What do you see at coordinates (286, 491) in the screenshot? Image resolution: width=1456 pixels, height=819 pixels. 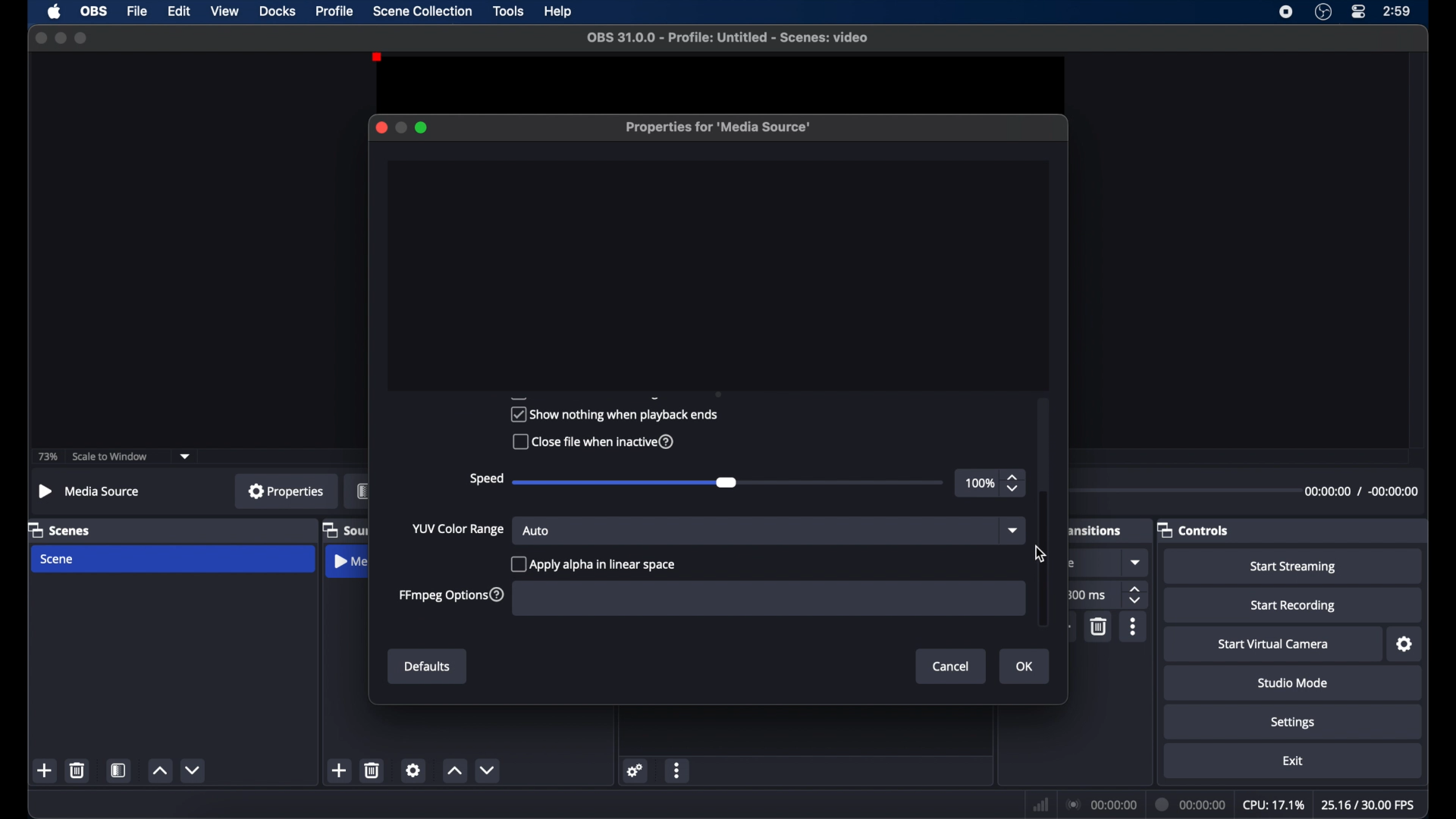 I see `properties` at bounding box center [286, 491].